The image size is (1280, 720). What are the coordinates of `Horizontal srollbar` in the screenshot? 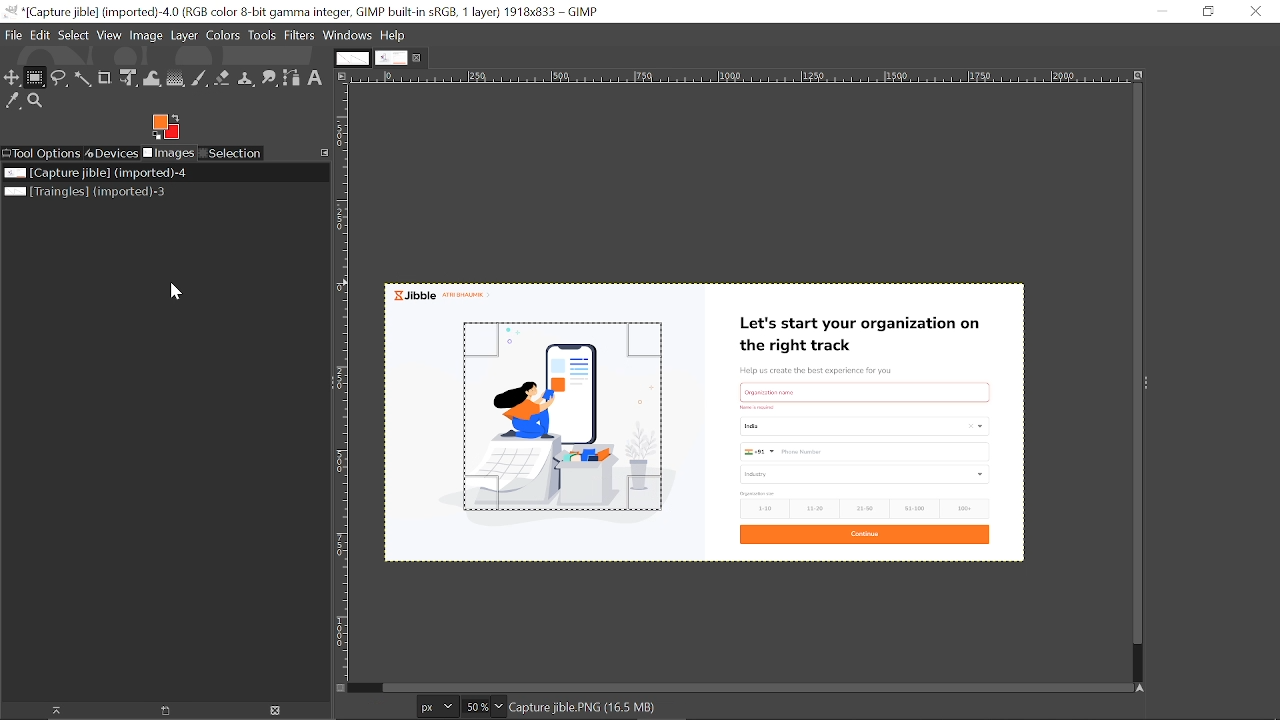 It's located at (758, 686).